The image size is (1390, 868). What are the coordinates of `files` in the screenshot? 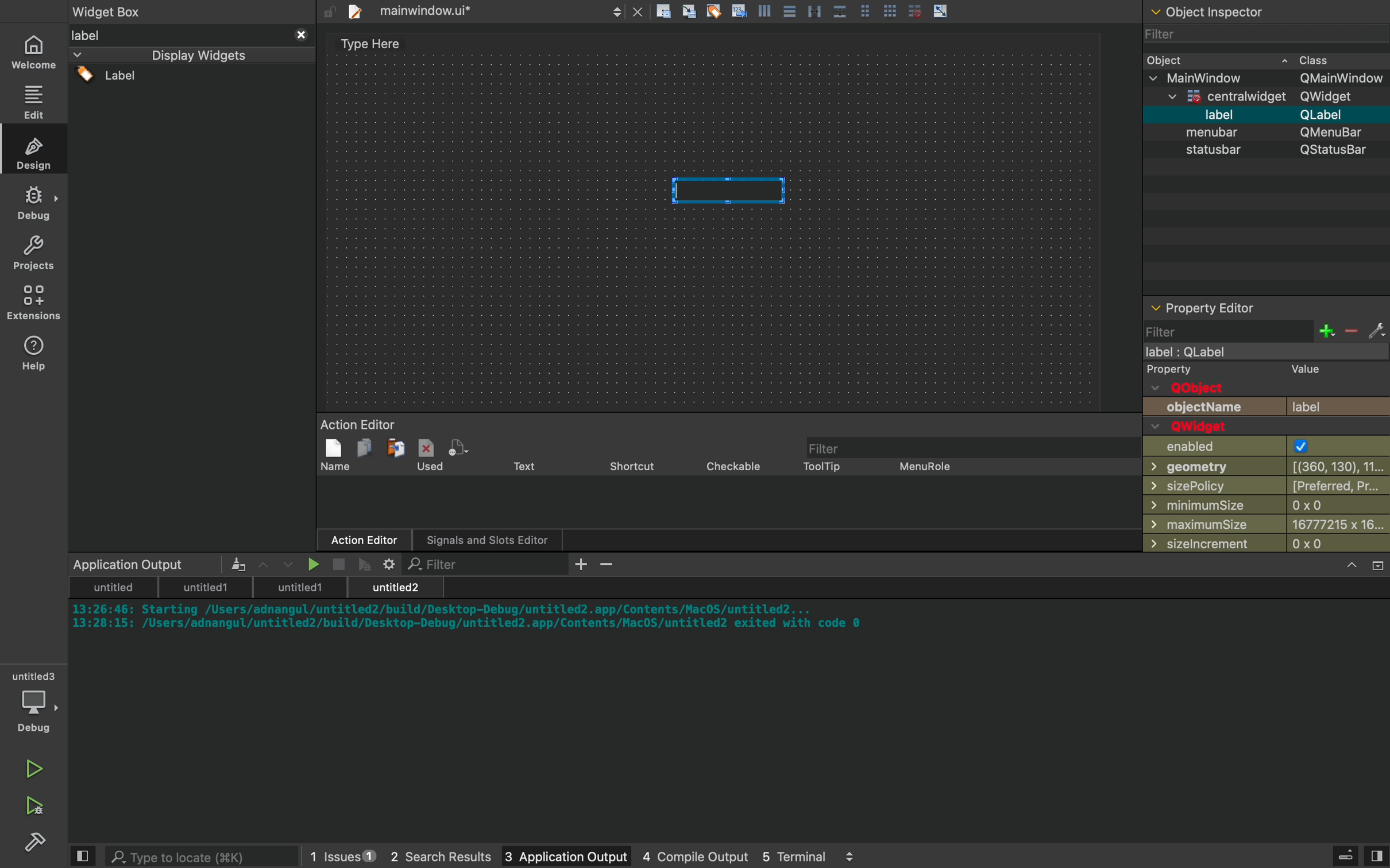 It's located at (481, 11).